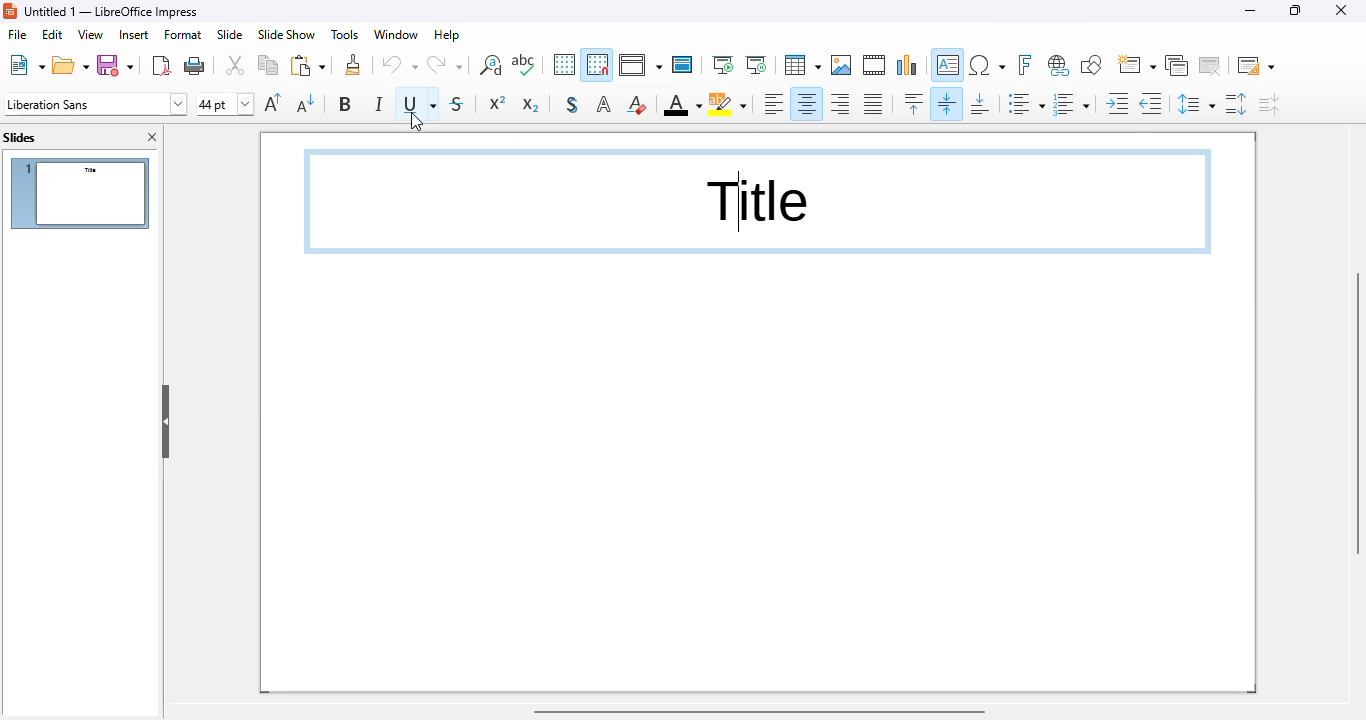  I want to click on insert image, so click(842, 65).